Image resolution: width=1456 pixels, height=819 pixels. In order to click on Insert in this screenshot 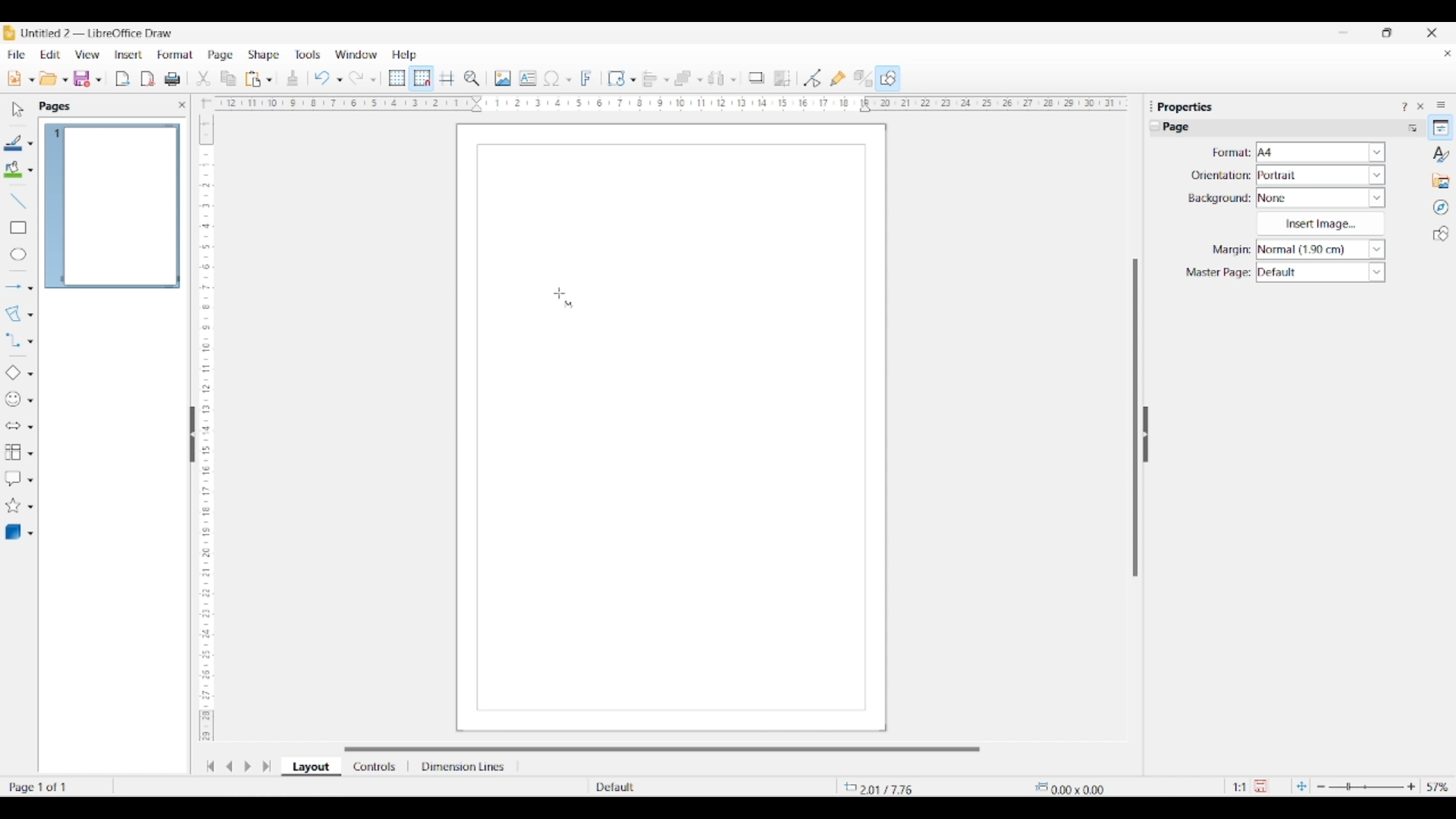, I will do `click(129, 55)`.